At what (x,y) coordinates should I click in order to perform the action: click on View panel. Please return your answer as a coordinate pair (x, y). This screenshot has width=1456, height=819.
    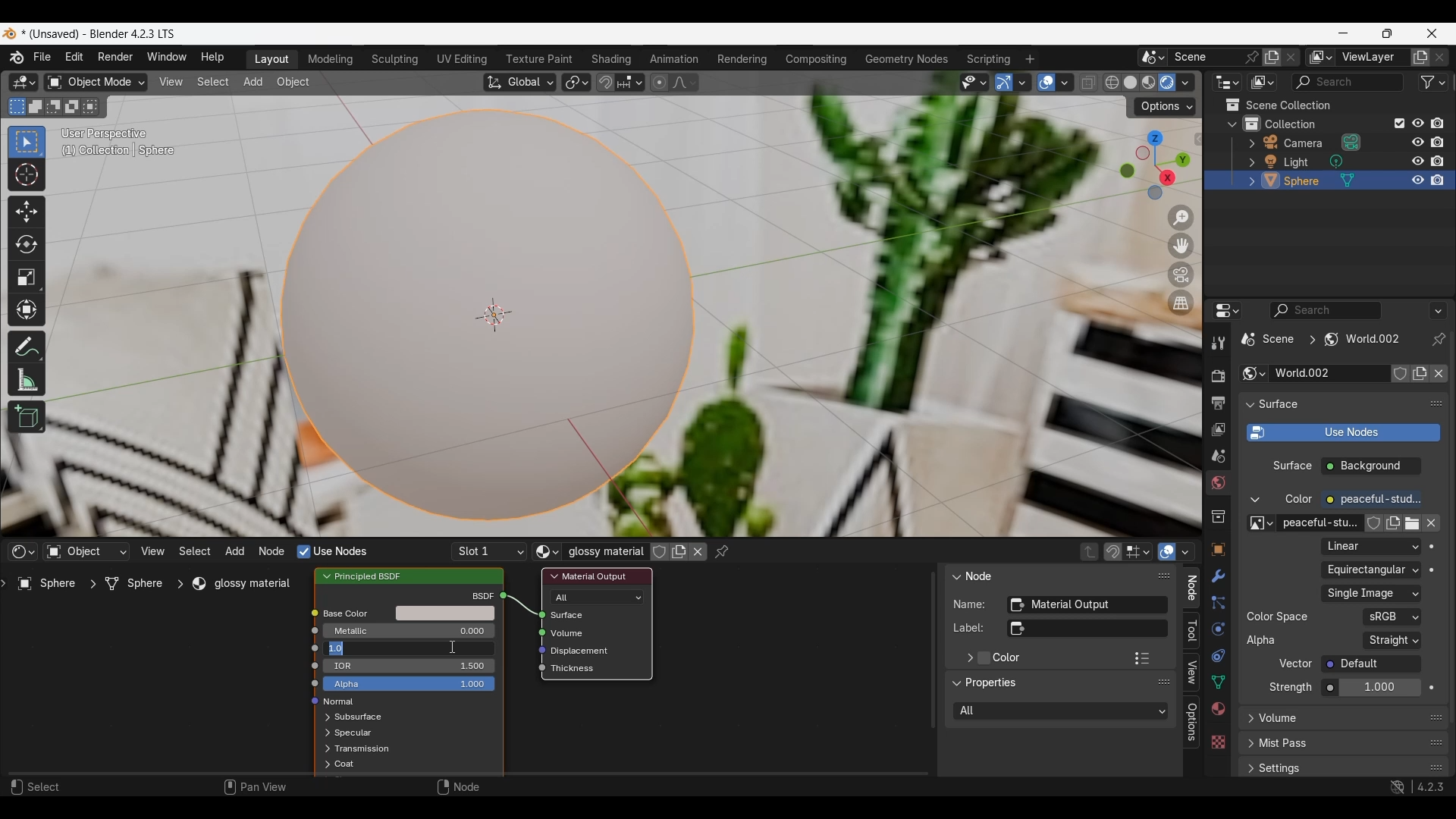
    Looking at the image, I should click on (1191, 673).